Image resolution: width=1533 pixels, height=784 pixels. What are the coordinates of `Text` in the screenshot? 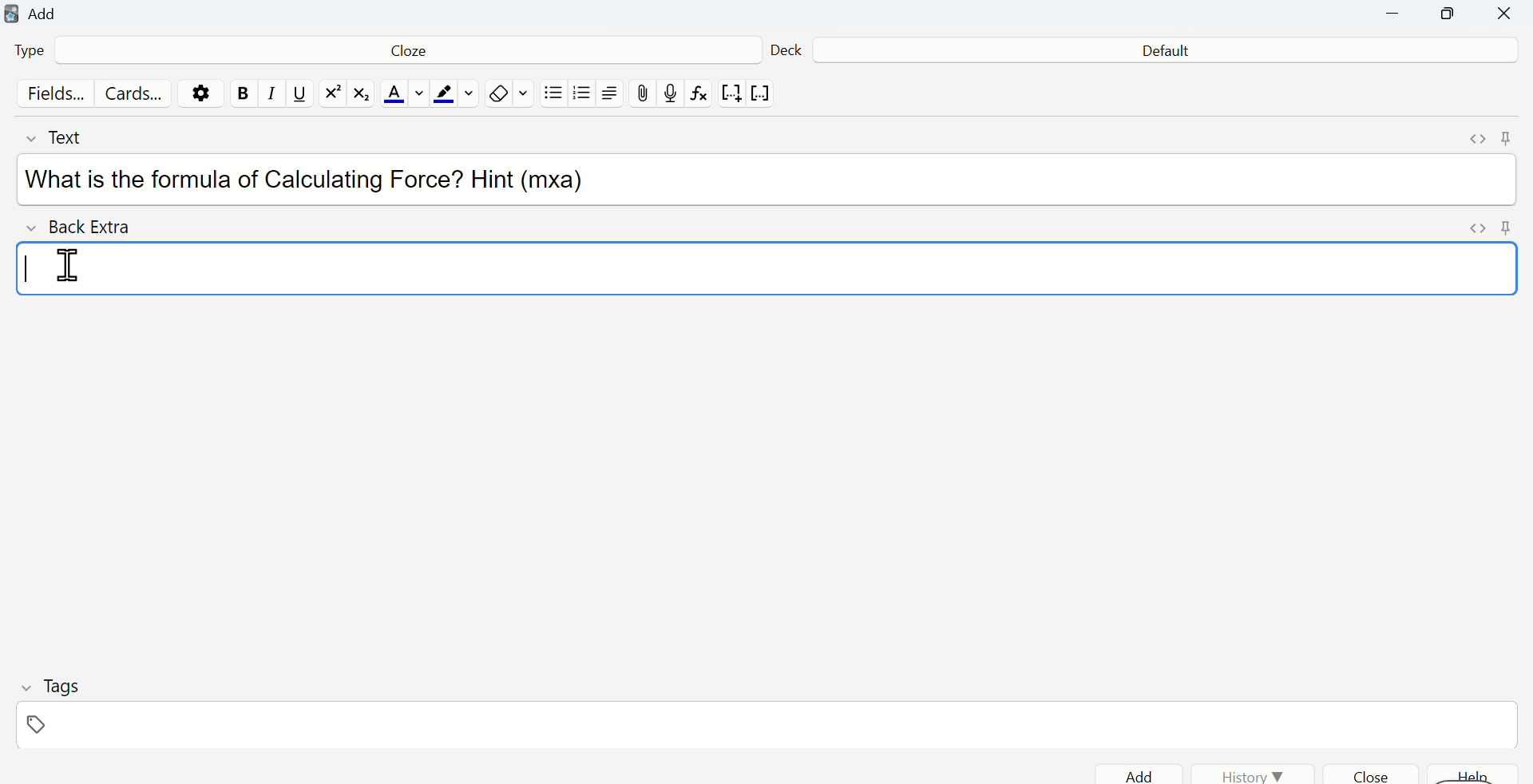 It's located at (70, 138).